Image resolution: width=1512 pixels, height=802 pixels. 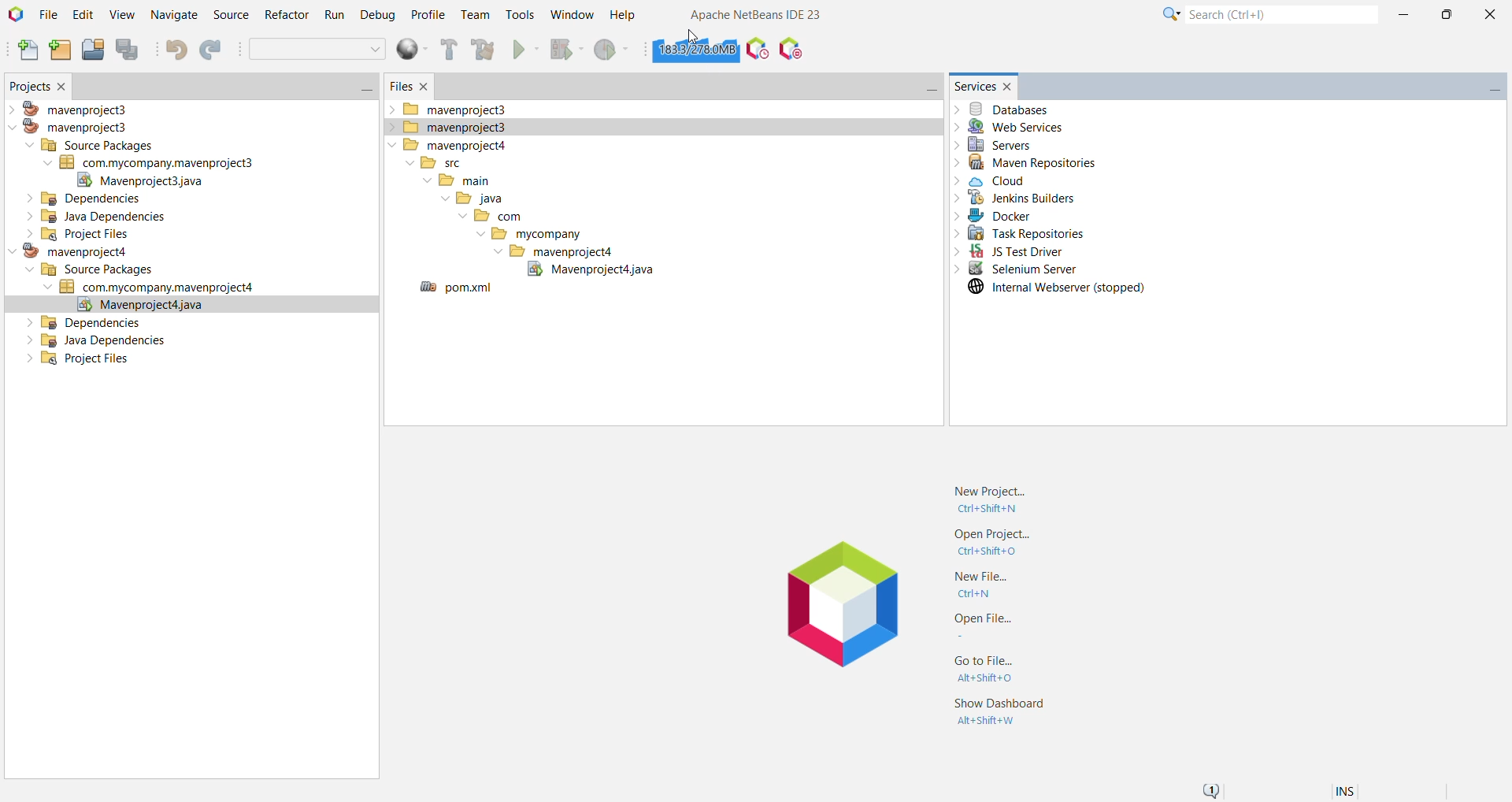 I want to click on mycompany, so click(x=525, y=236).